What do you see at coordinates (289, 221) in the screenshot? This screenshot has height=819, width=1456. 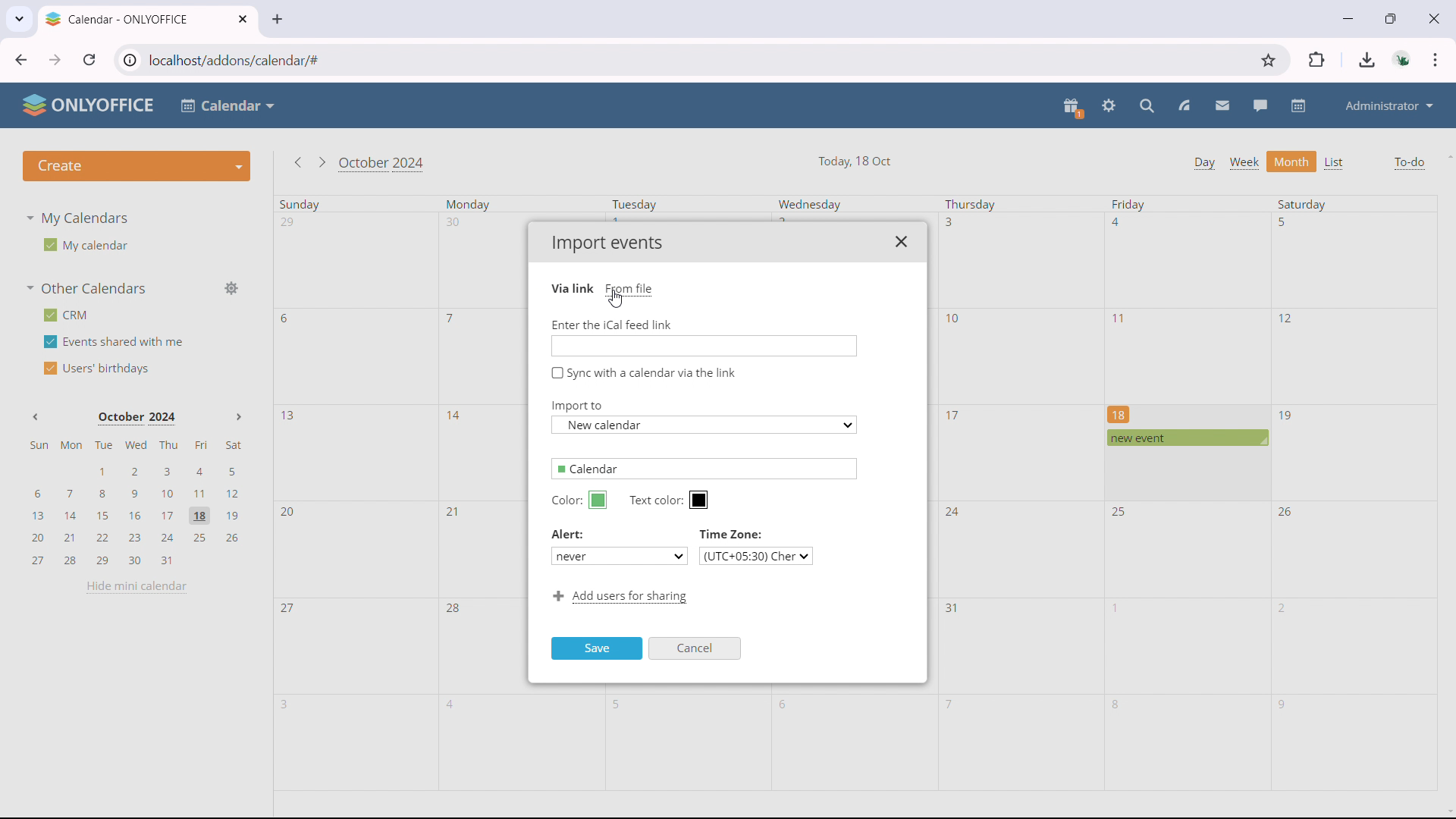 I see `29` at bounding box center [289, 221].